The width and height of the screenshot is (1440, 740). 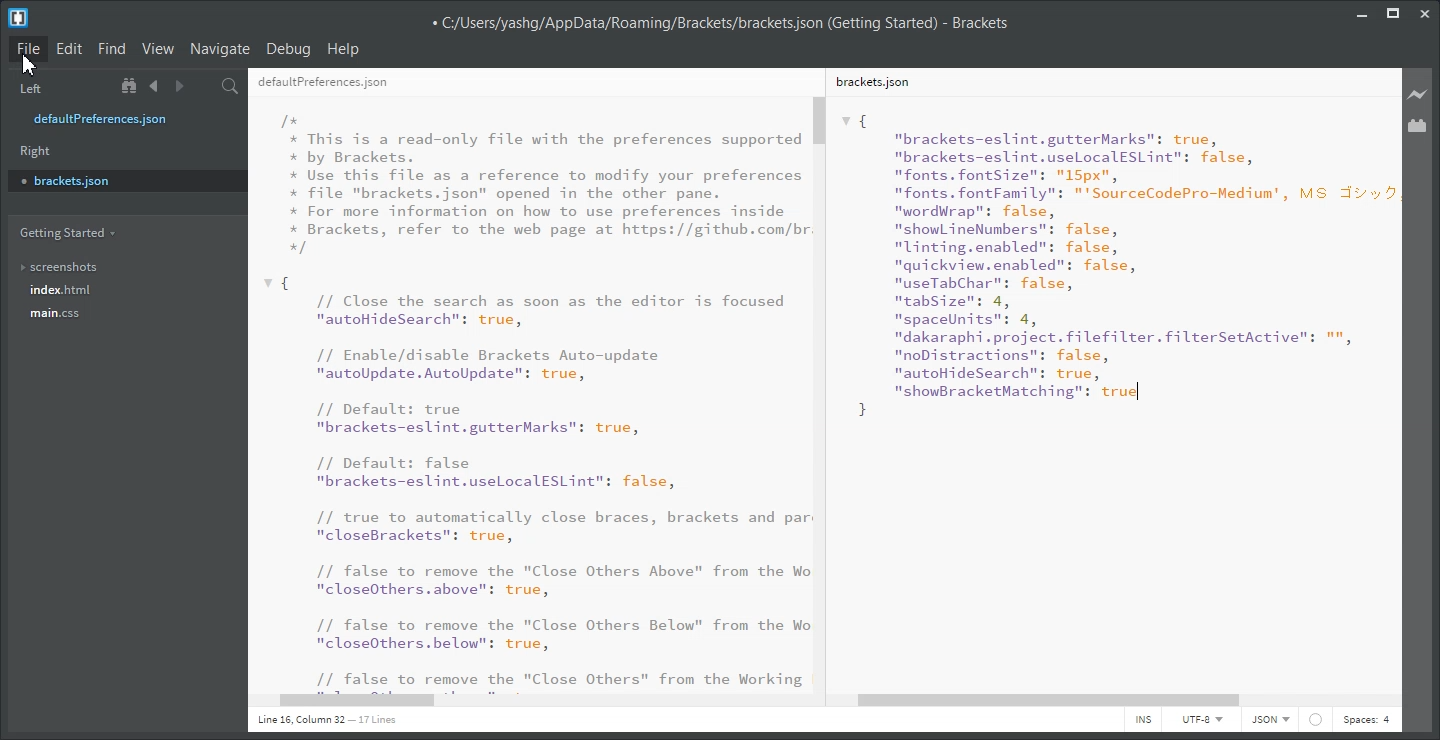 I want to click on Help, so click(x=345, y=49).